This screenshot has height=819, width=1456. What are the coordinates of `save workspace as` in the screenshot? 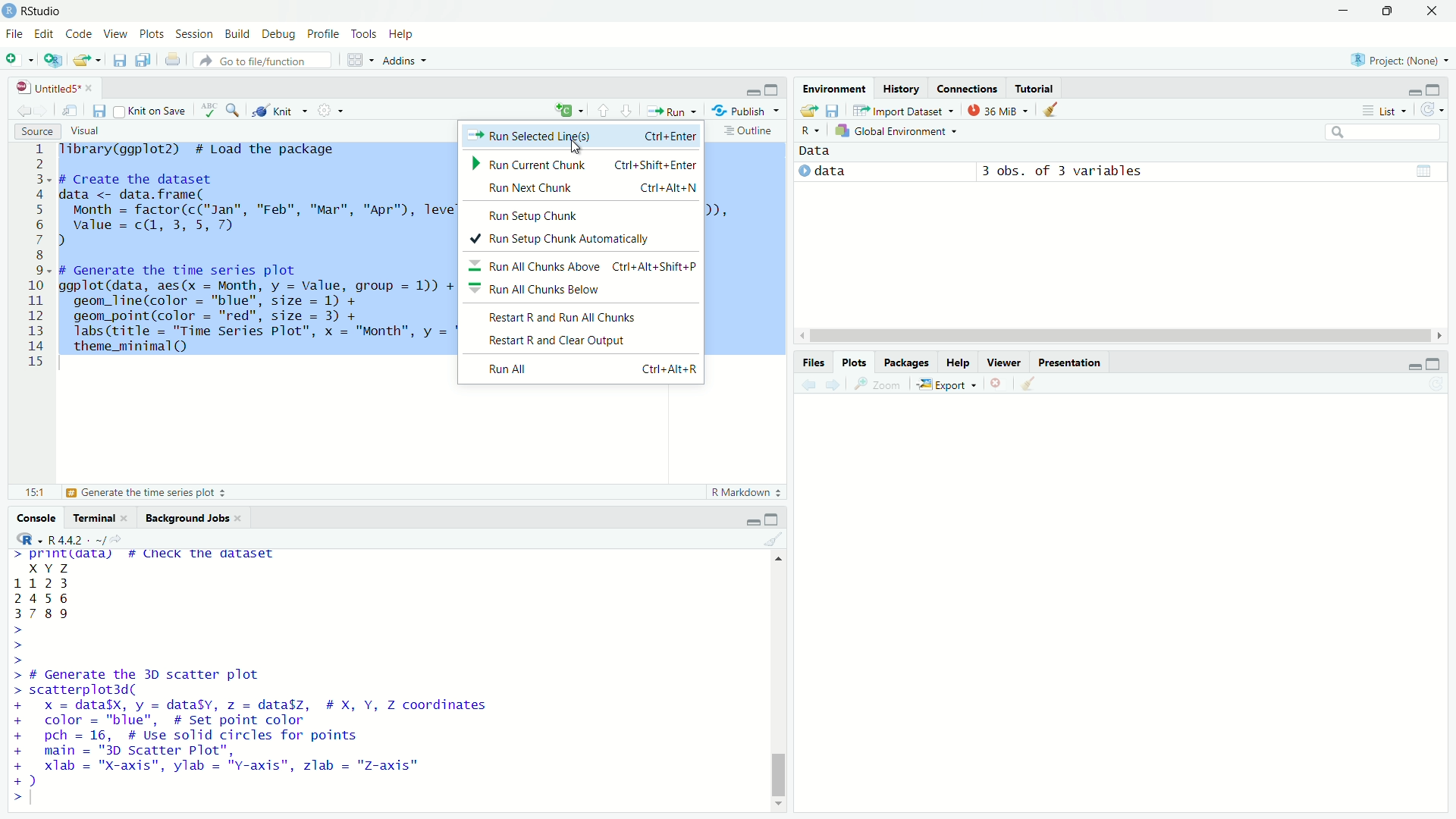 It's located at (835, 111).